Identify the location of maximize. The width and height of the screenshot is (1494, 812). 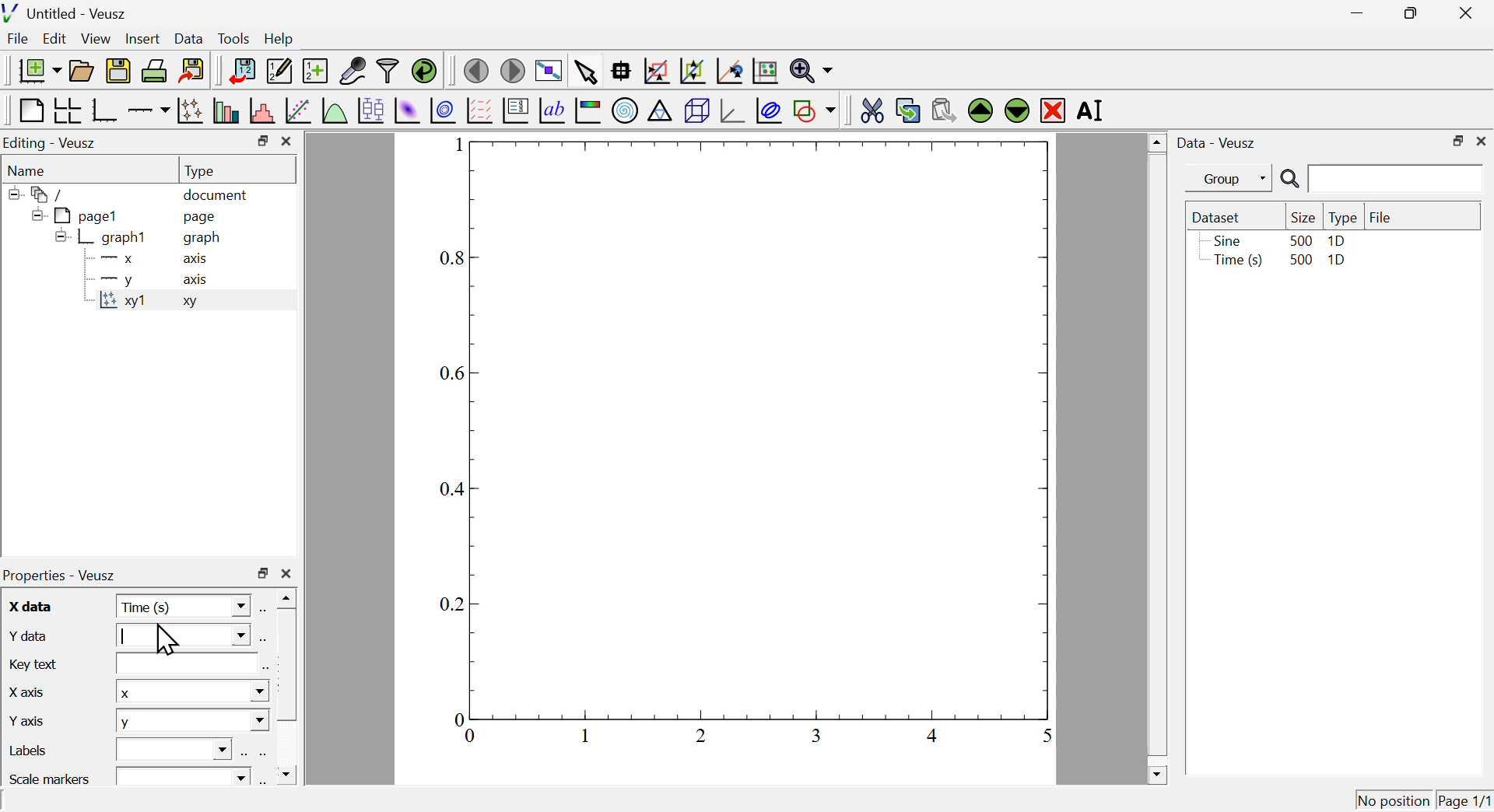
(260, 141).